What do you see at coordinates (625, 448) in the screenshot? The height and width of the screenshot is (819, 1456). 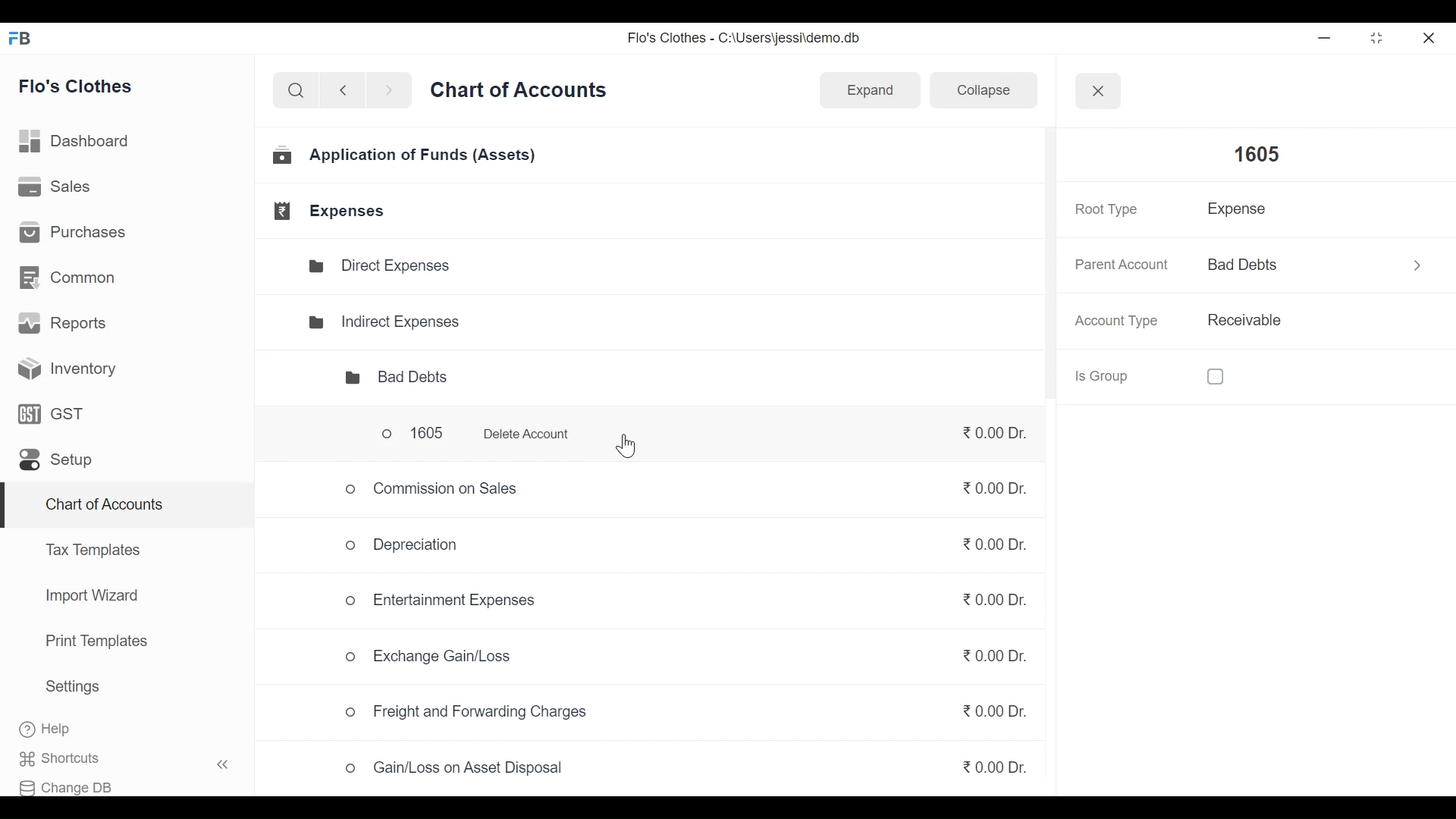 I see `Cursor` at bounding box center [625, 448].